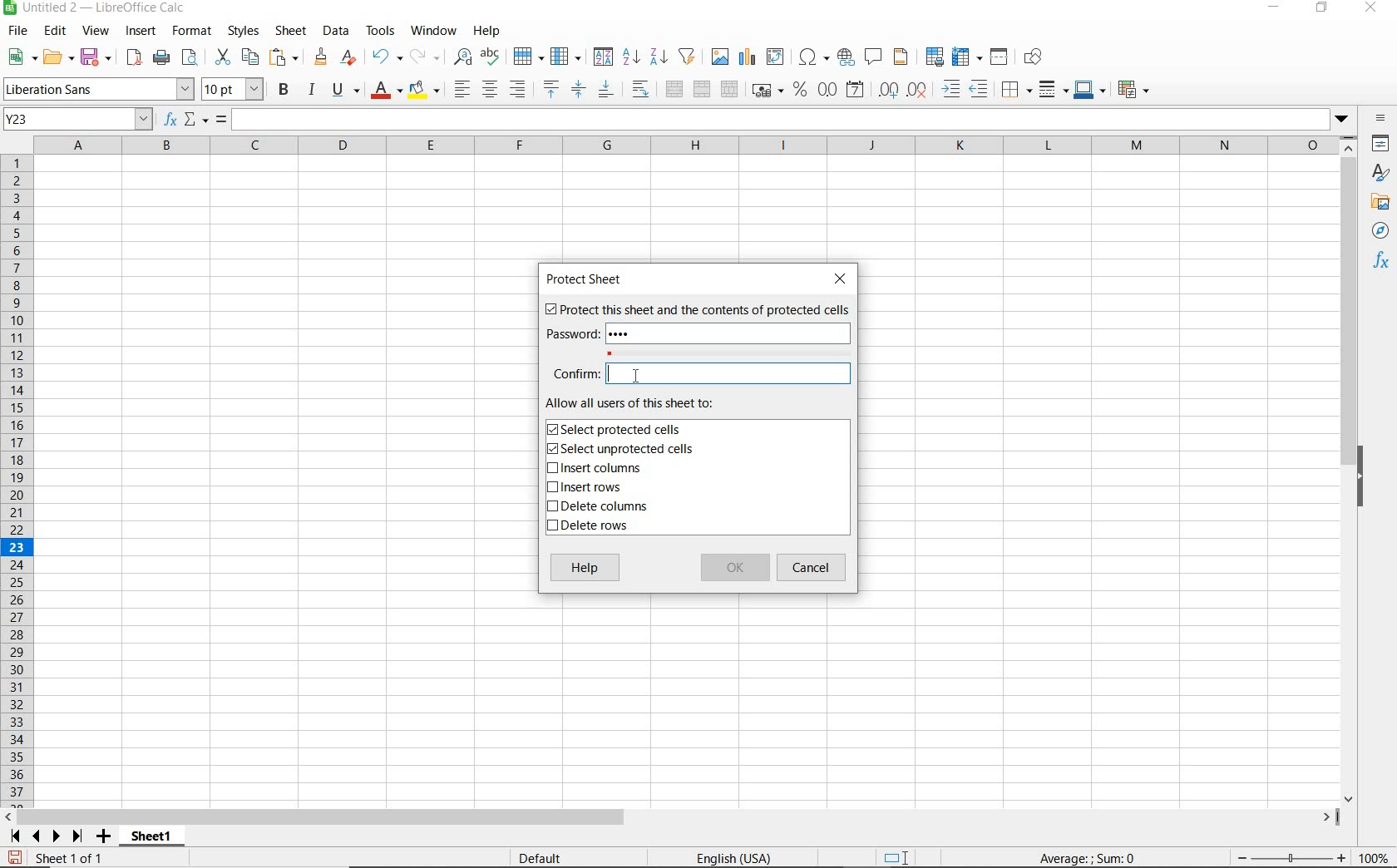 This screenshot has height=868, width=1397. Describe the element at coordinates (846, 57) in the screenshot. I see `INSERT HYPERLINK` at that location.